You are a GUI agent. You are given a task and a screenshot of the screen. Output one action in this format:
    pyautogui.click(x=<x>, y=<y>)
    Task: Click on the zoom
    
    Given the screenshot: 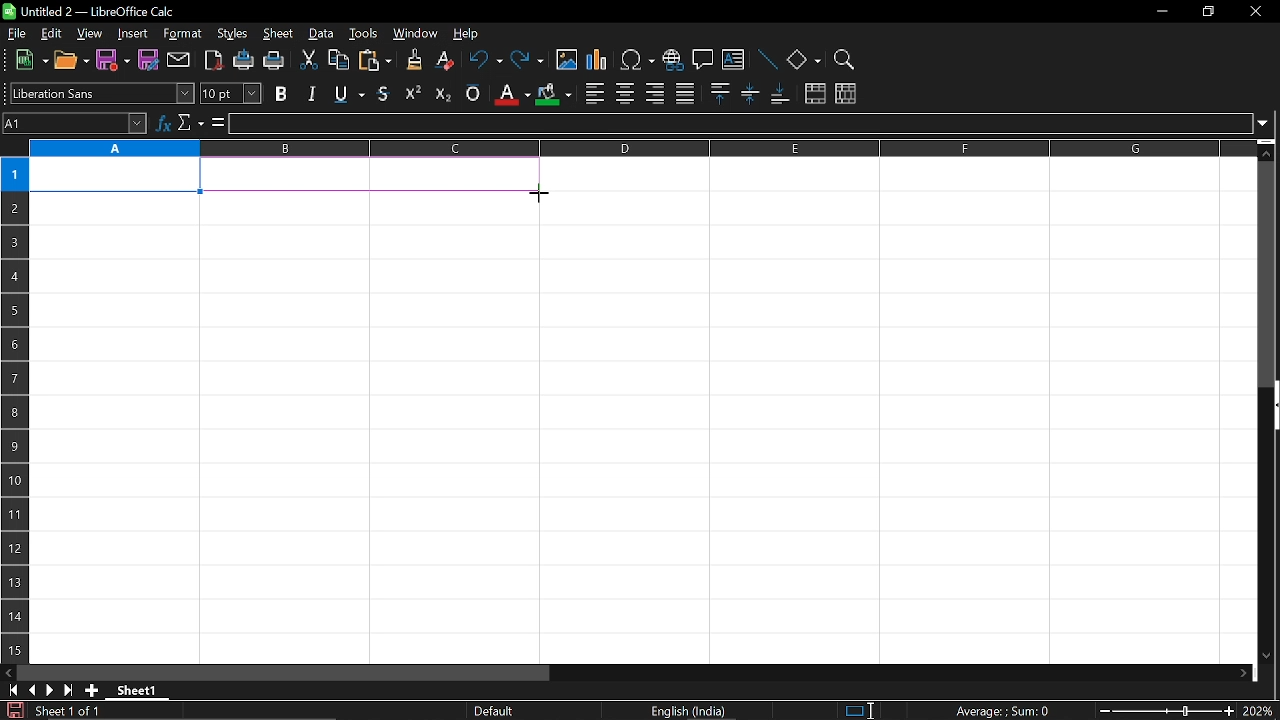 What is the action you would take?
    pyautogui.click(x=845, y=57)
    